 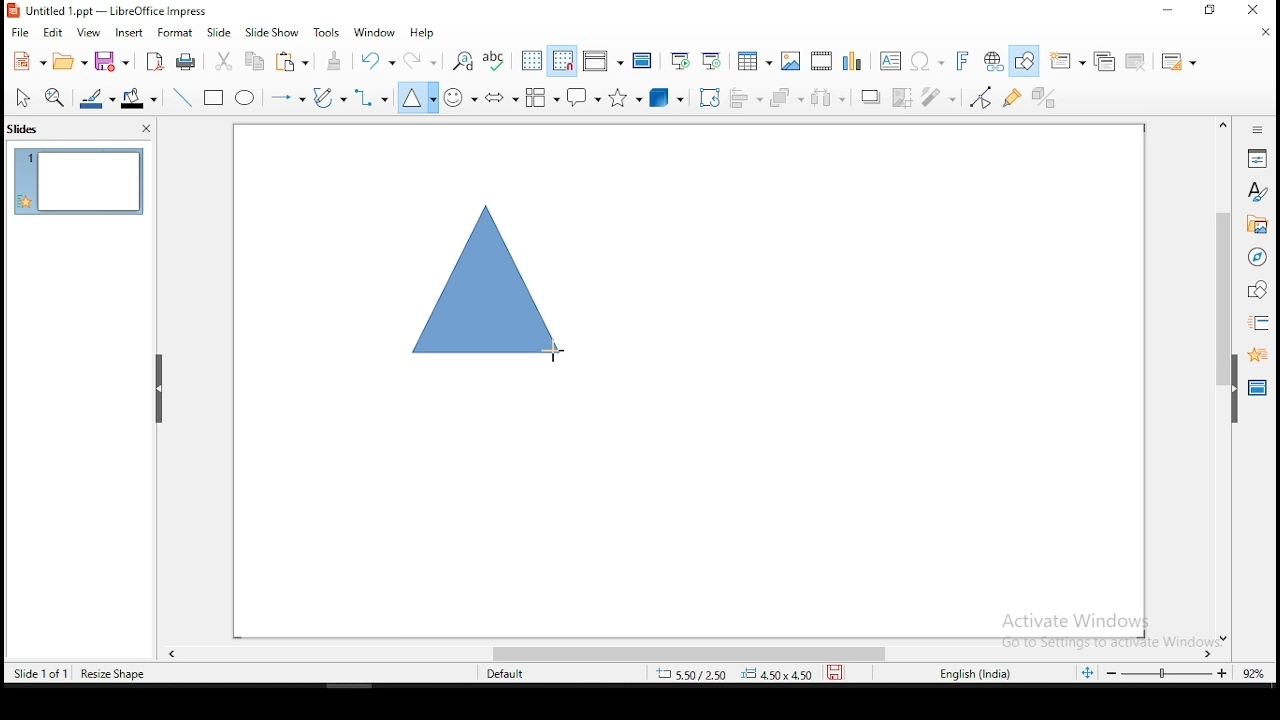 I want to click on hyperlink, so click(x=991, y=60).